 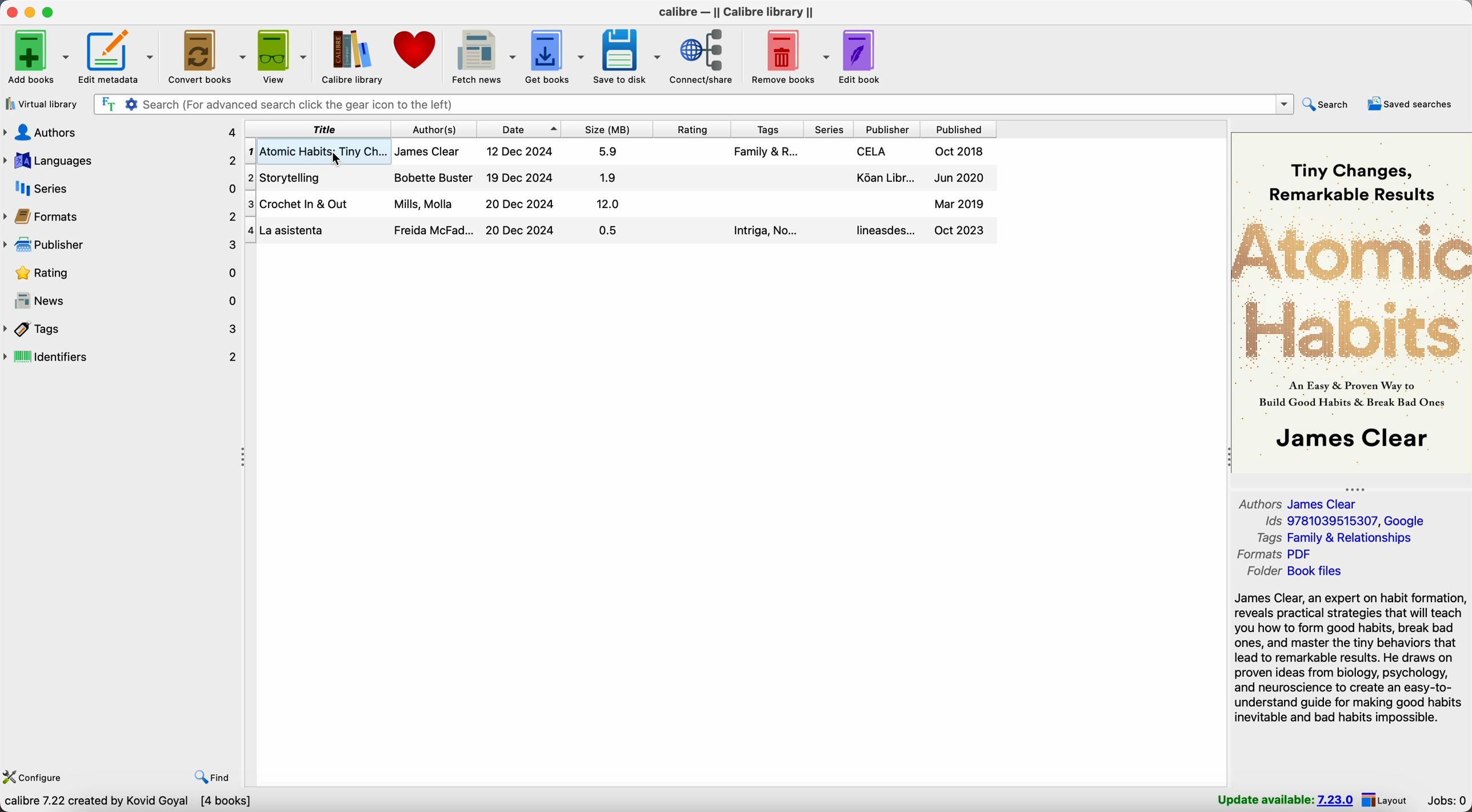 I want to click on tags, so click(x=1334, y=538).